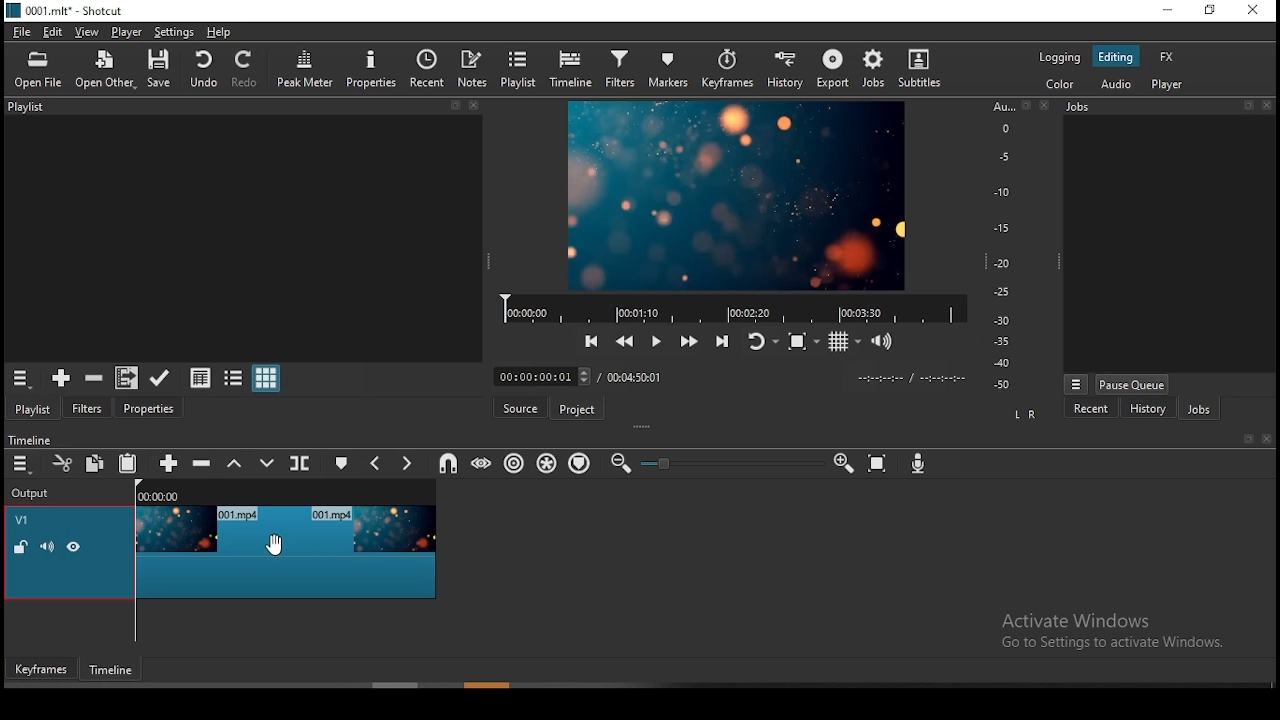  I want to click on pause queue, so click(1131, 384).